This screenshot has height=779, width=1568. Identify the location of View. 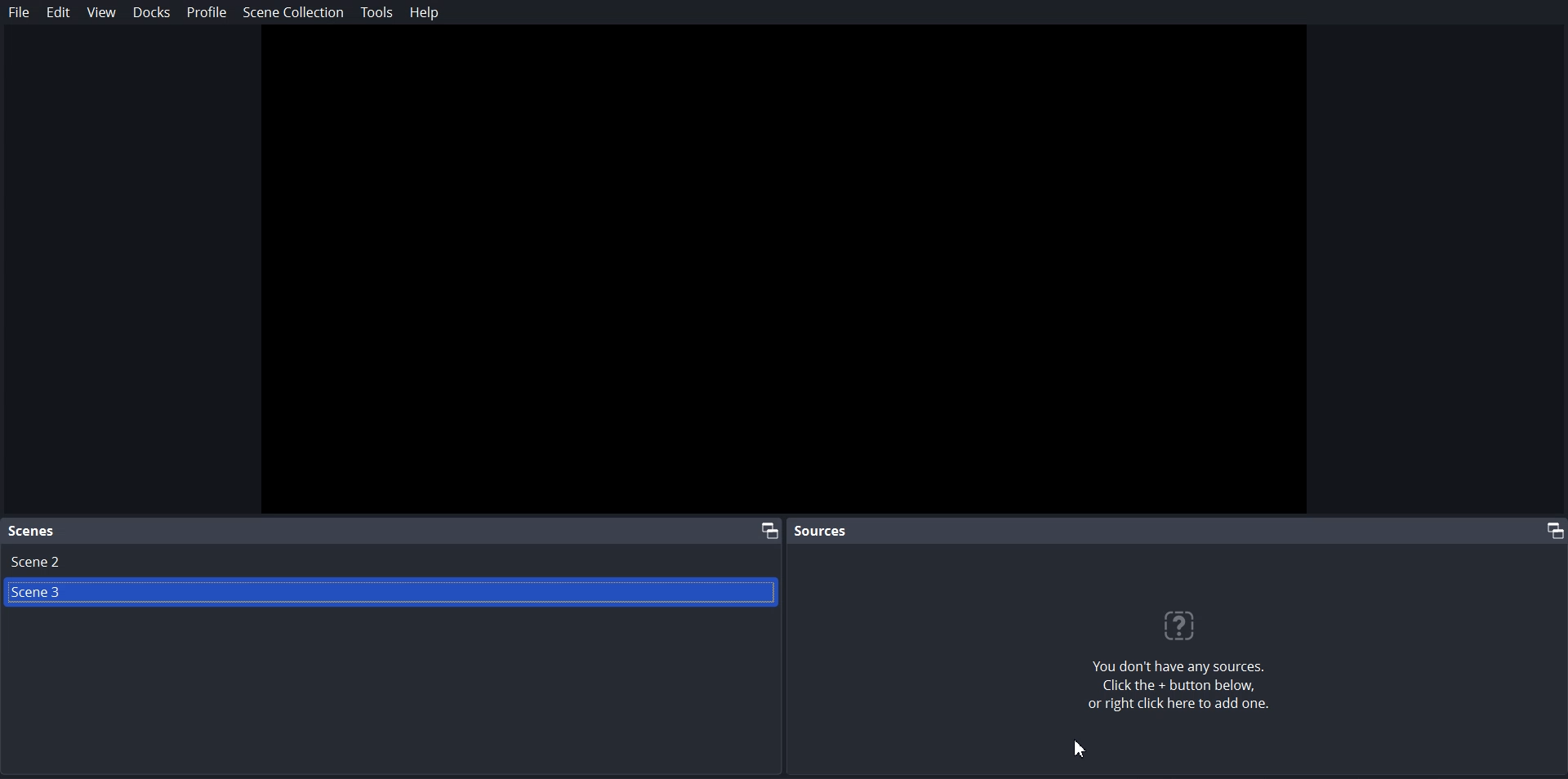
(100, 11).